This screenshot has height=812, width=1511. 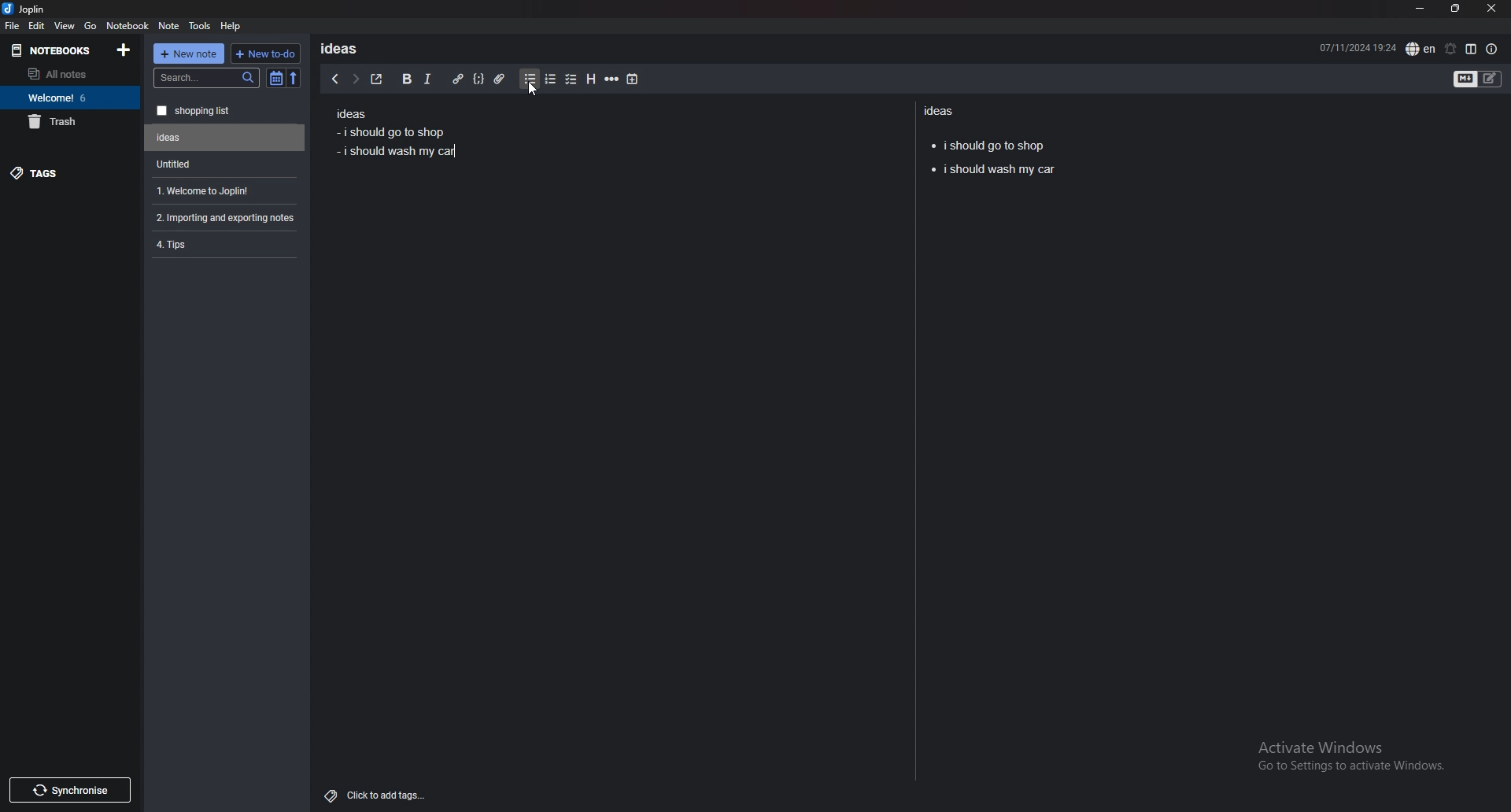 What do you see at coordinates (12, 25) in the screenshot?
I see `file` at bounding box center [12, 25].